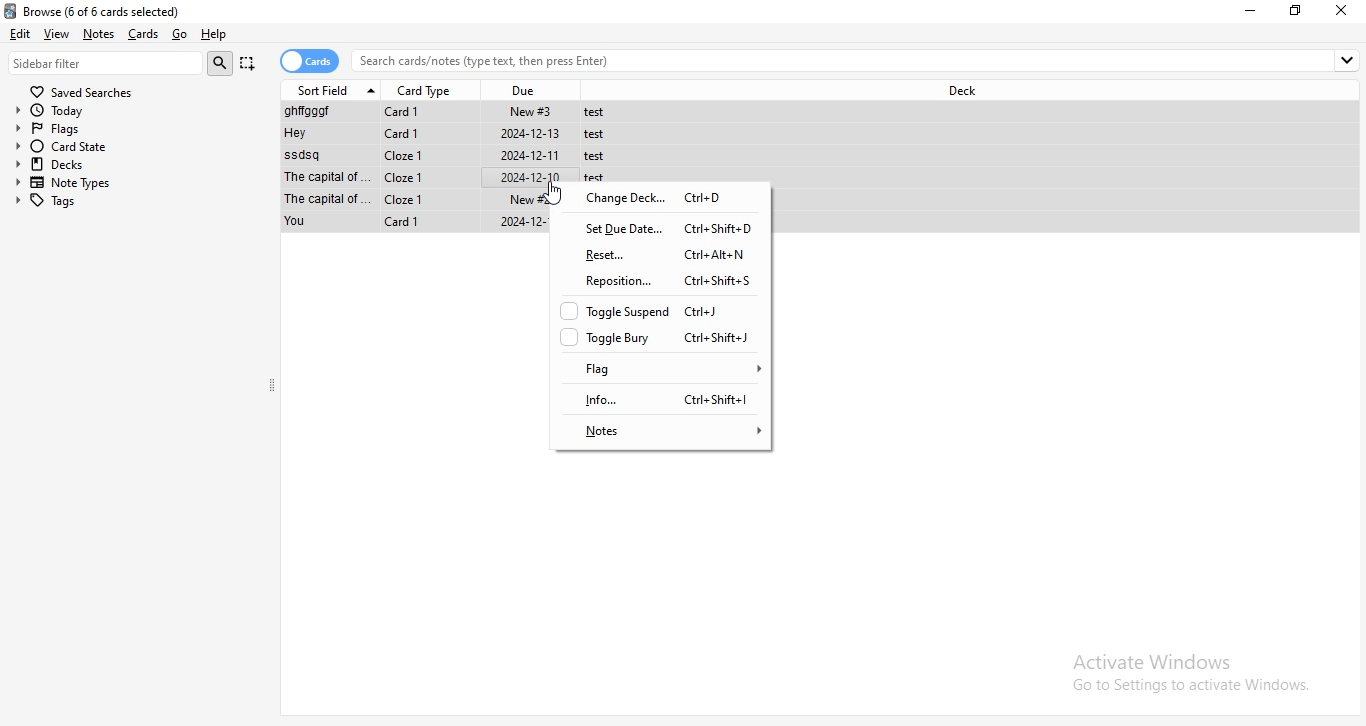 The width and height of the screenshot is (1366, 726). Describe the element at coordinates (664, 282) in the screenshot. I see `reposition` at that location.